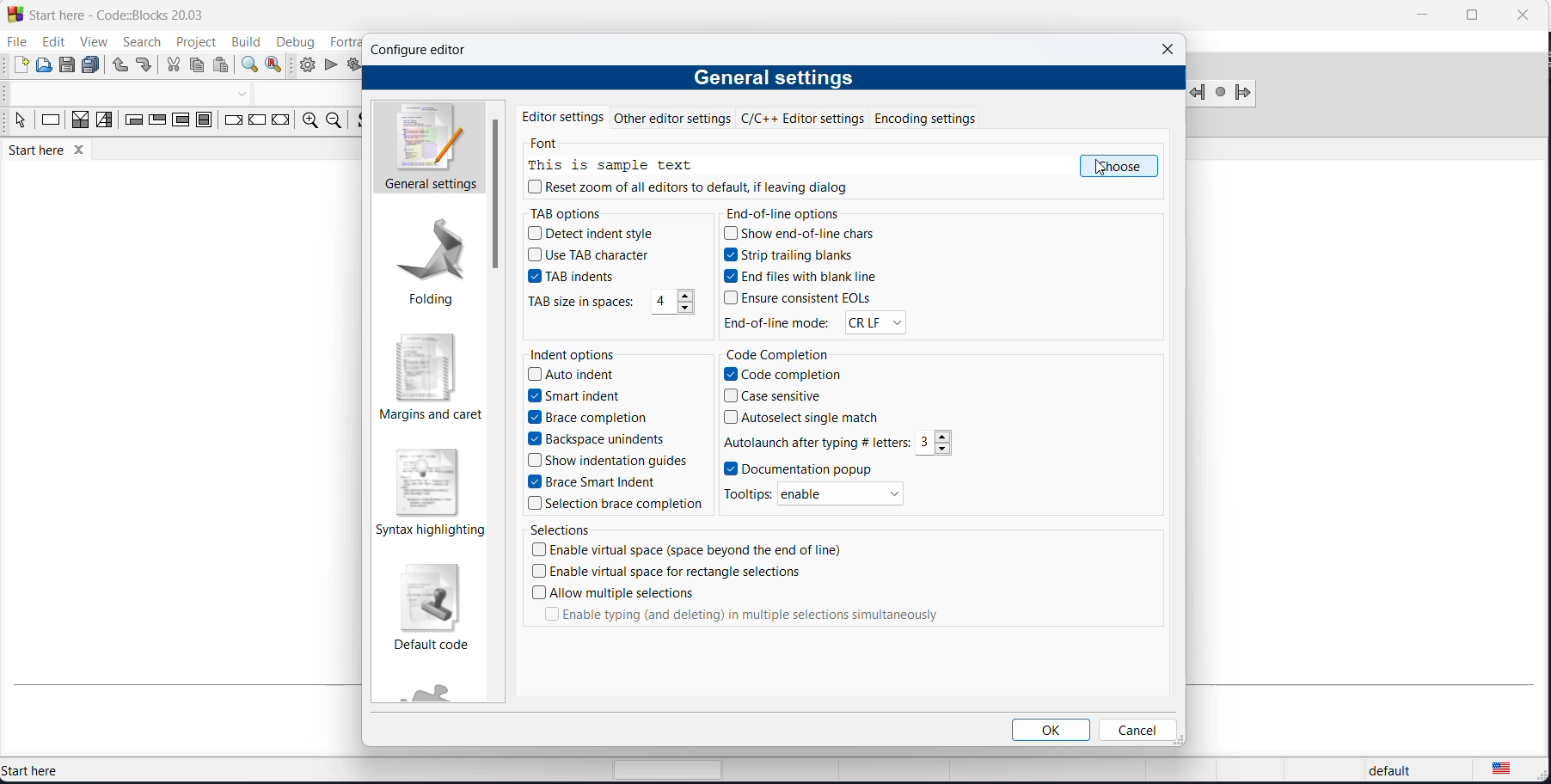 Image resolution: width=1551 pixels, height=784 pixels. I want to click on smart indent, so click(577, 395).